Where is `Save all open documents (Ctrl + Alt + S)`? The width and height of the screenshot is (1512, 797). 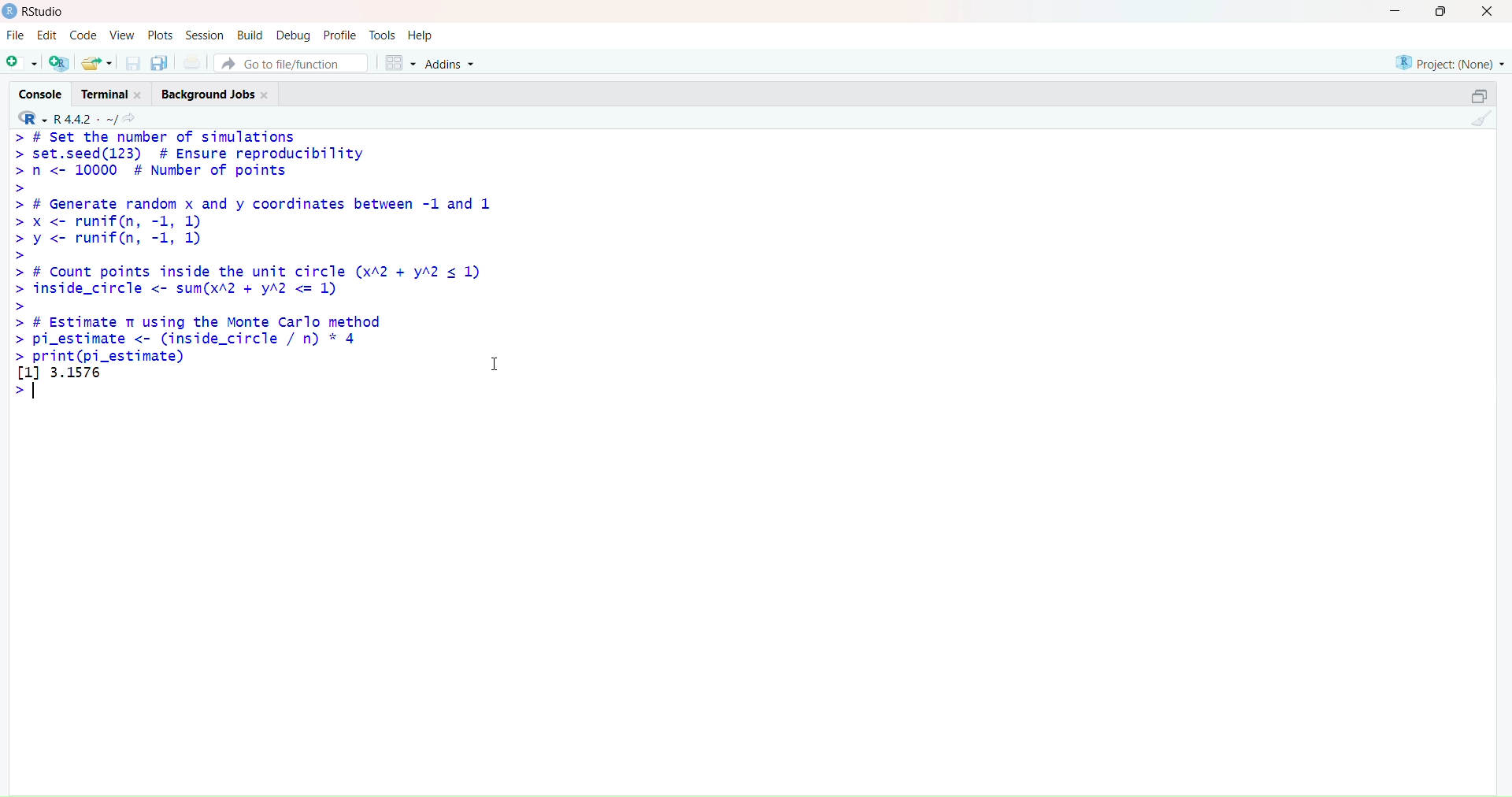 Save all open documents (Ctrl + Alt + S) is located at coordinates (161, 61).